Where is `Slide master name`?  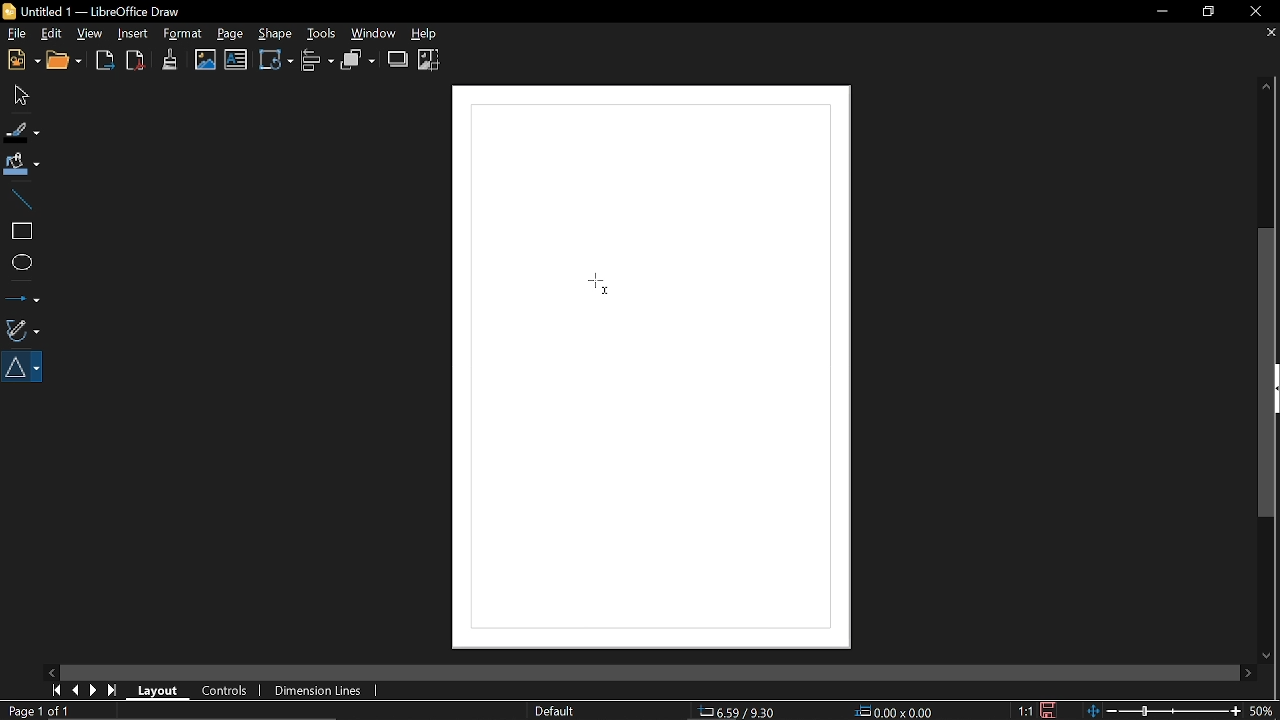 Slide master name is located at coordinates (554, 711).